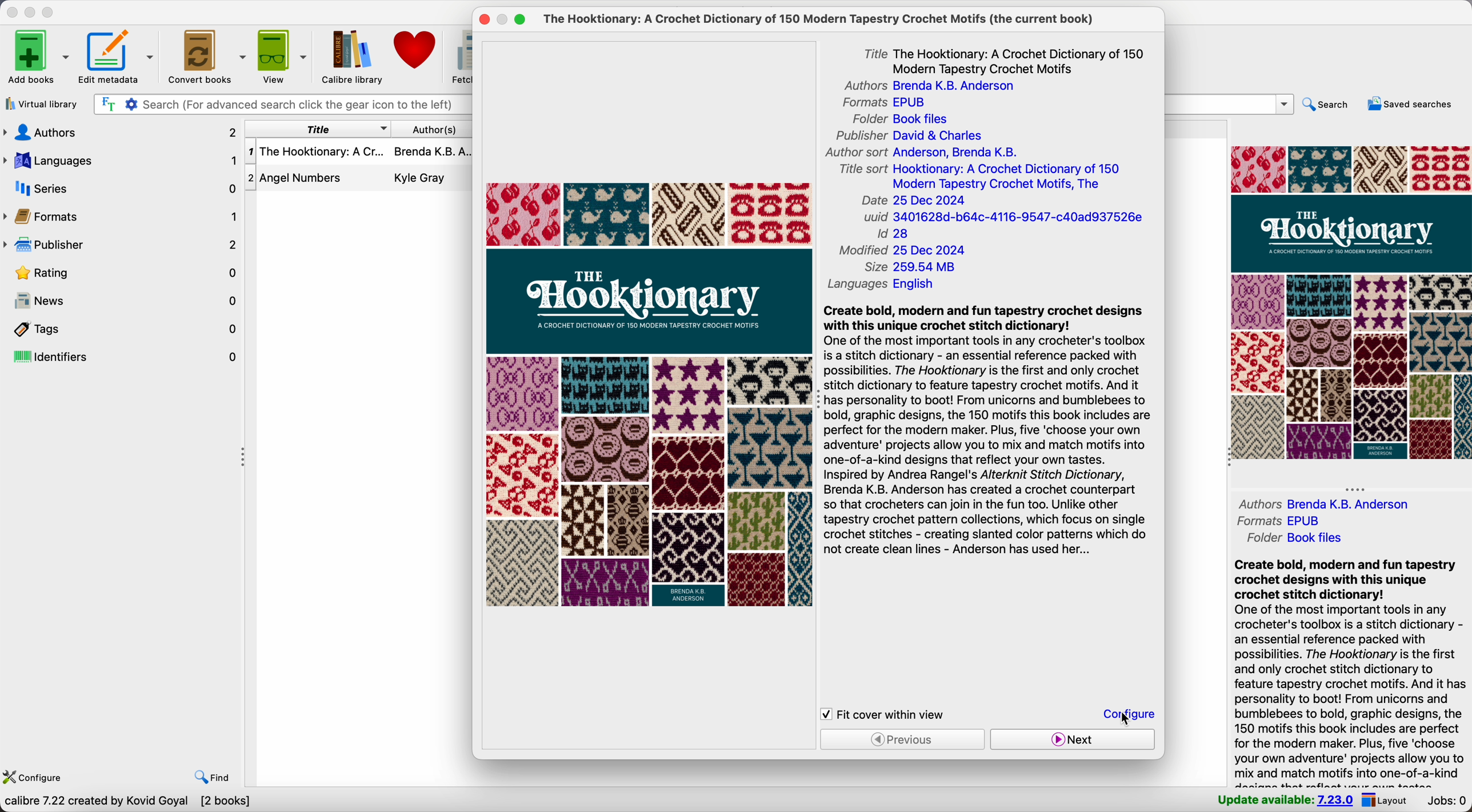 Image resolution: width=1472 pixels, height=812 pixels. What do you see at coordinates (38, 58) in the screenshot?
I see `add books` at bounding box center [38, 58].